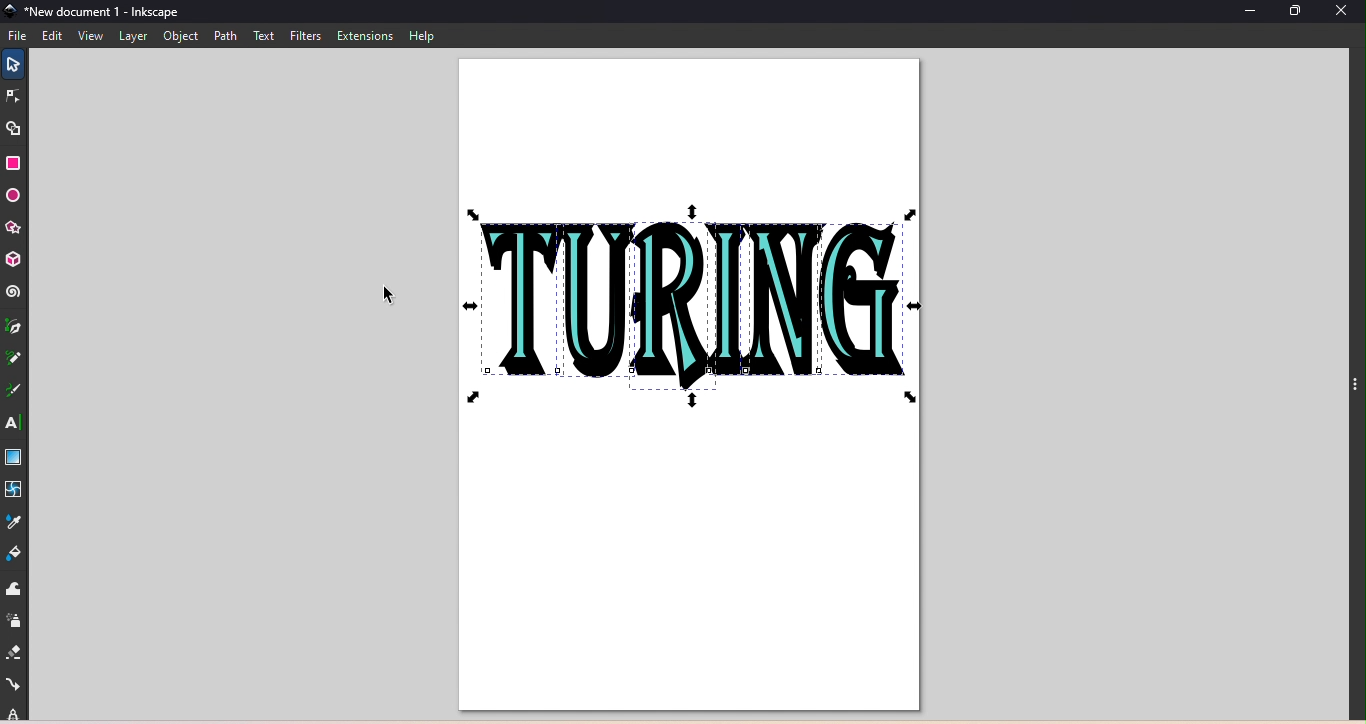  I want to click on Object, so click(181, 37).